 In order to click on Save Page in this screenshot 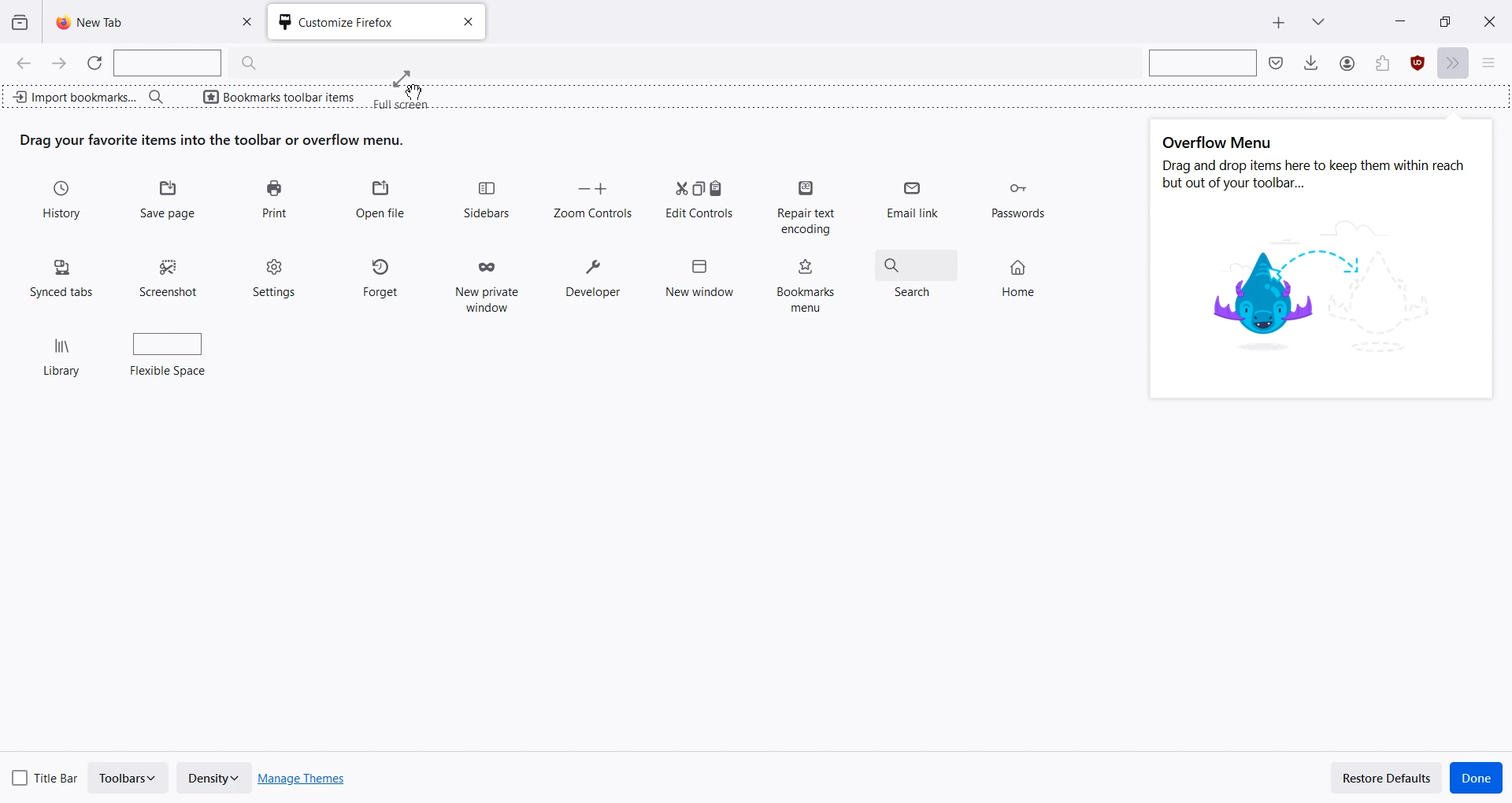, I will do `click(170, 201)`.